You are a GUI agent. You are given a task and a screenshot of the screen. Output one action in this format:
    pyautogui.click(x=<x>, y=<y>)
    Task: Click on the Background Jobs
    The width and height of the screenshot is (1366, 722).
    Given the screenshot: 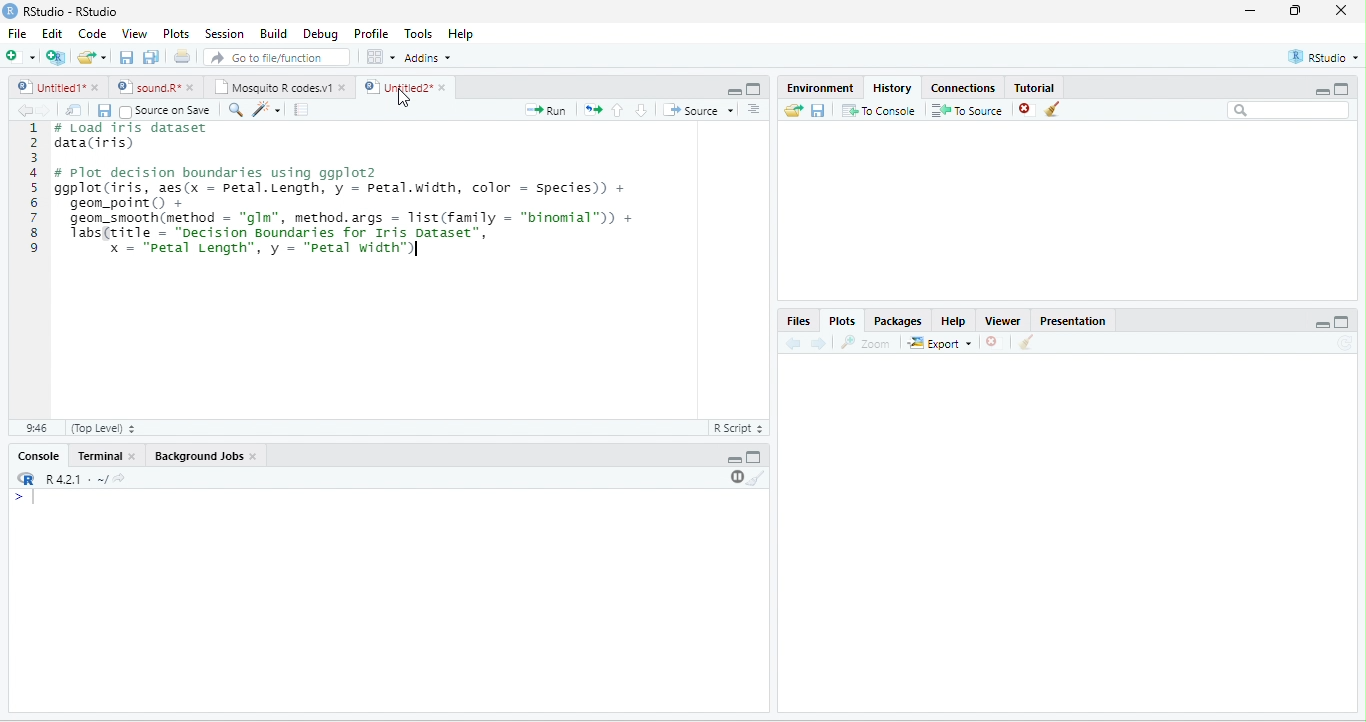 What is the action you would take?
    pyautogui.click(x=197, y=456)
    